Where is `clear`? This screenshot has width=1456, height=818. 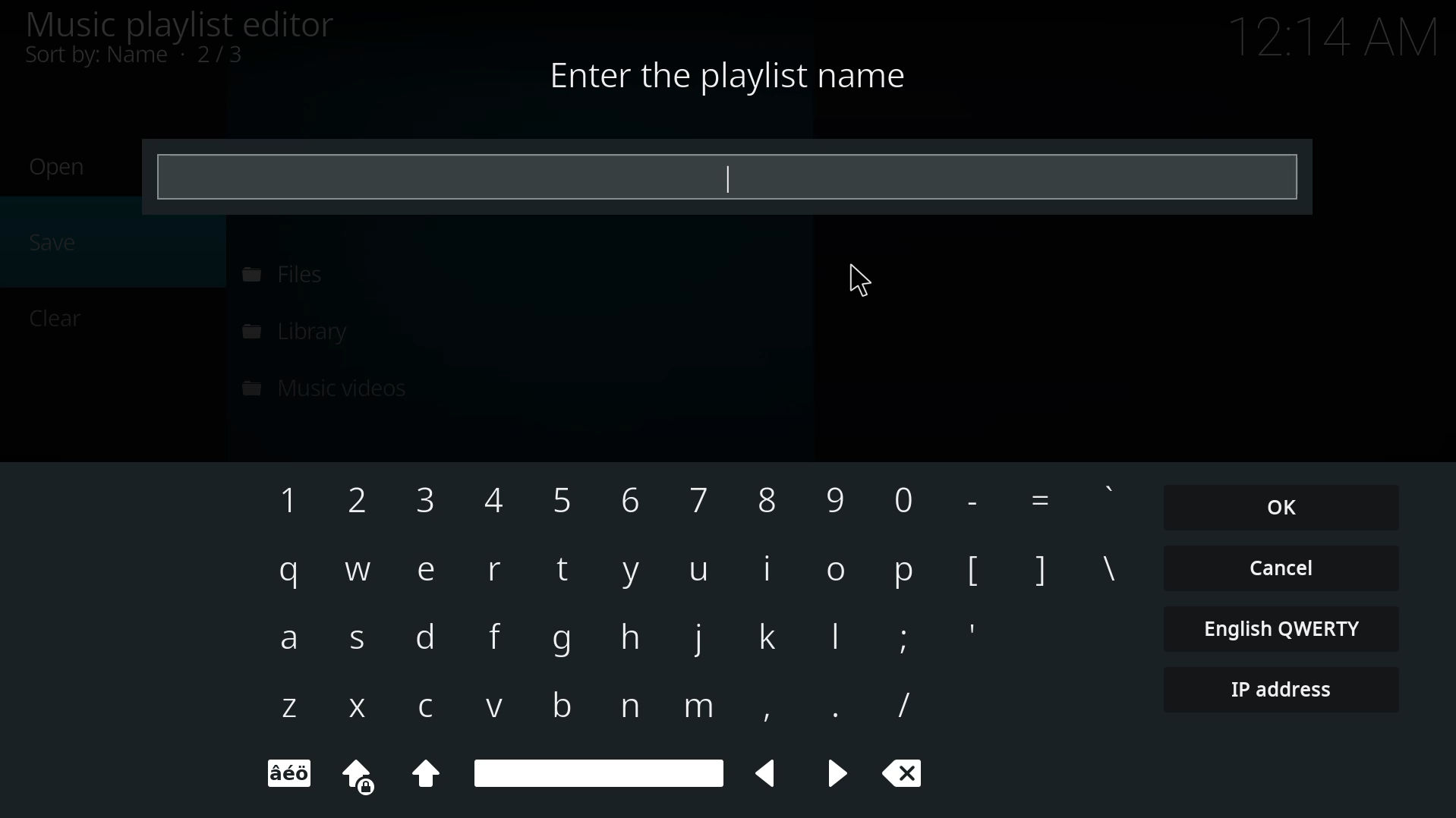
clear is located at coordinates (59, 316).